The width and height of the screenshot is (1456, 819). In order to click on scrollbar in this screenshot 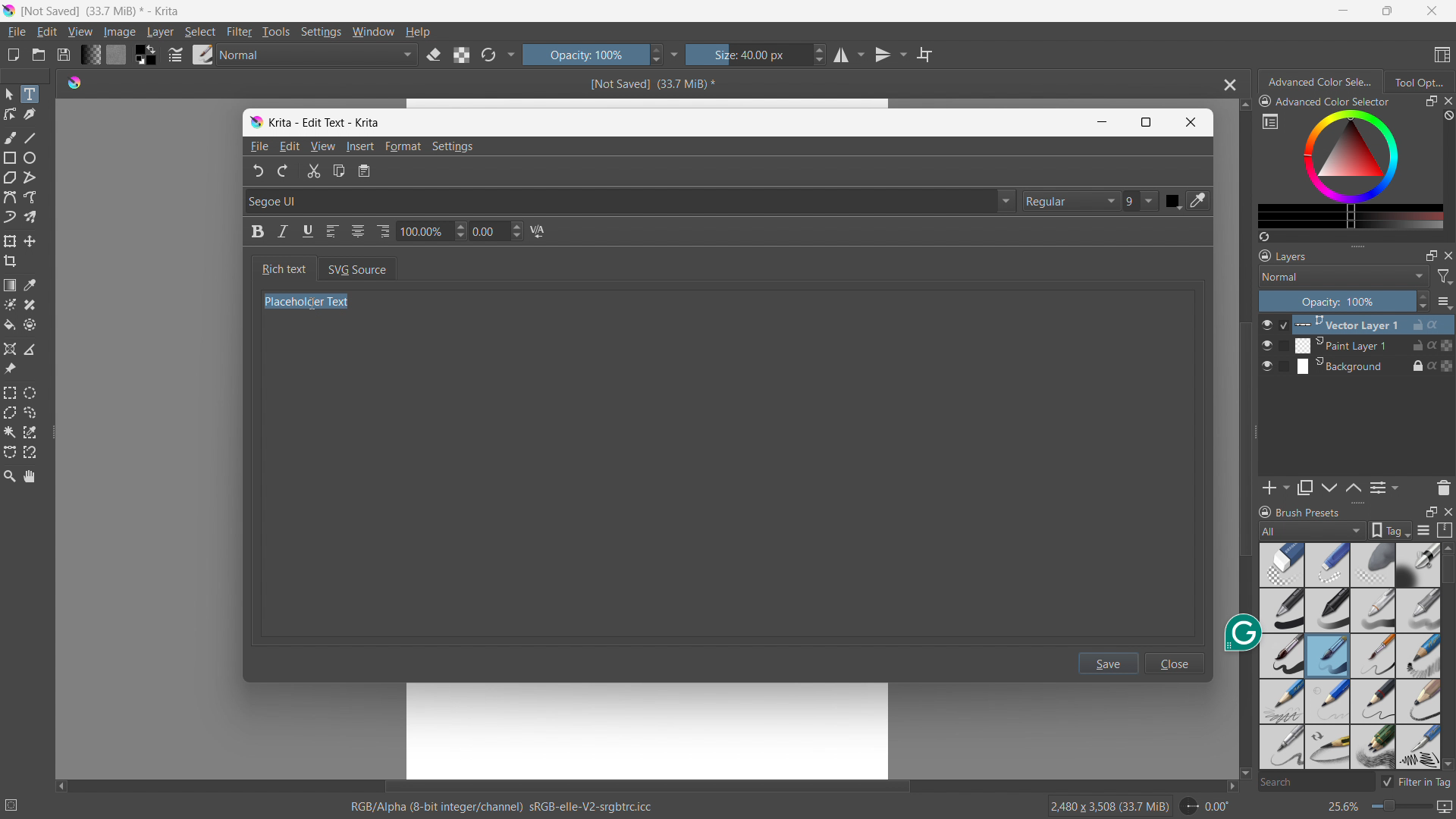, I will do `click(1447, 635)`.